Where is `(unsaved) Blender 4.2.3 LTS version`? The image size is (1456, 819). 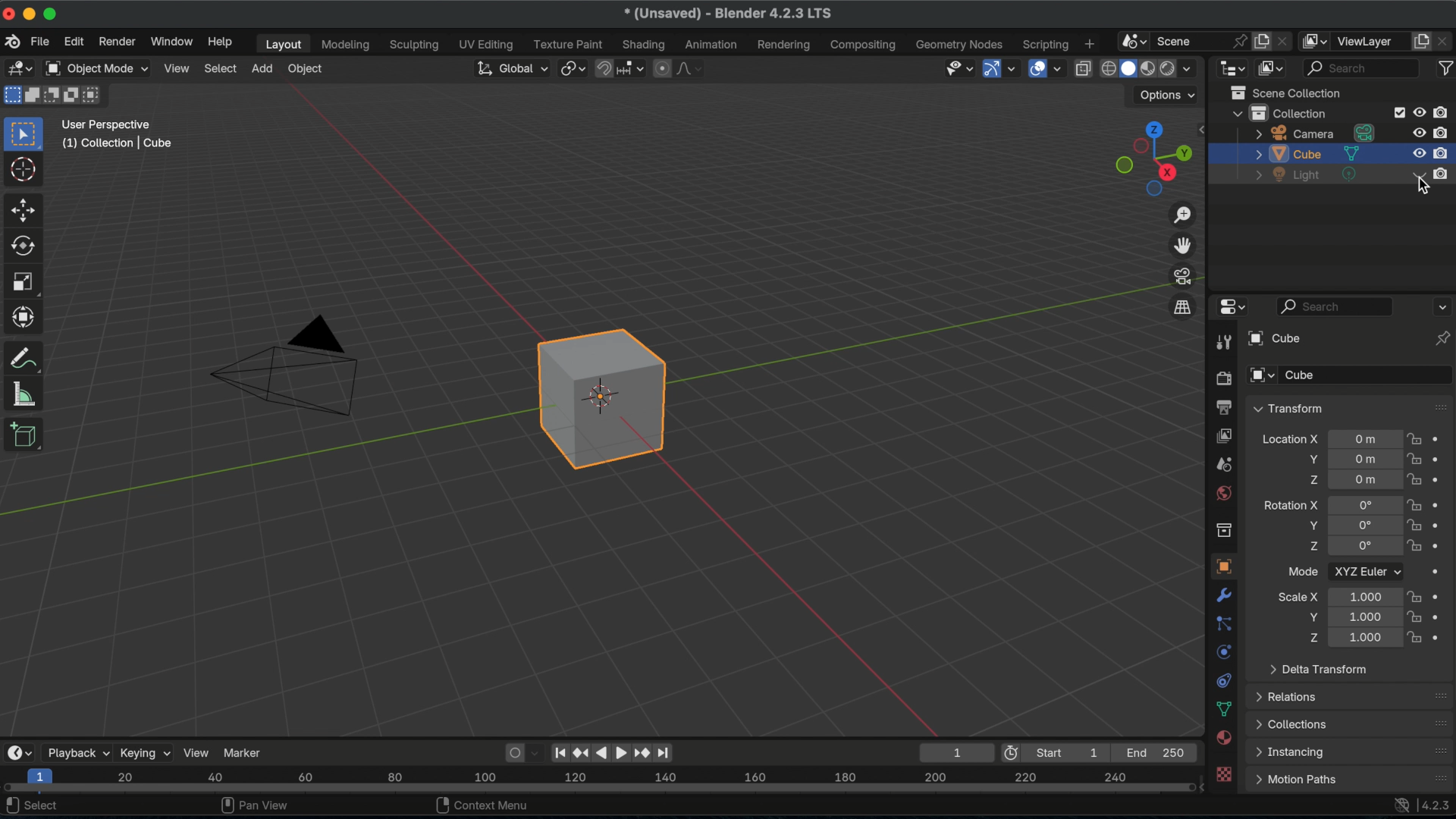 (unsaved) Blender 4.2.3 LTS version is located at coordinates (726, 13).